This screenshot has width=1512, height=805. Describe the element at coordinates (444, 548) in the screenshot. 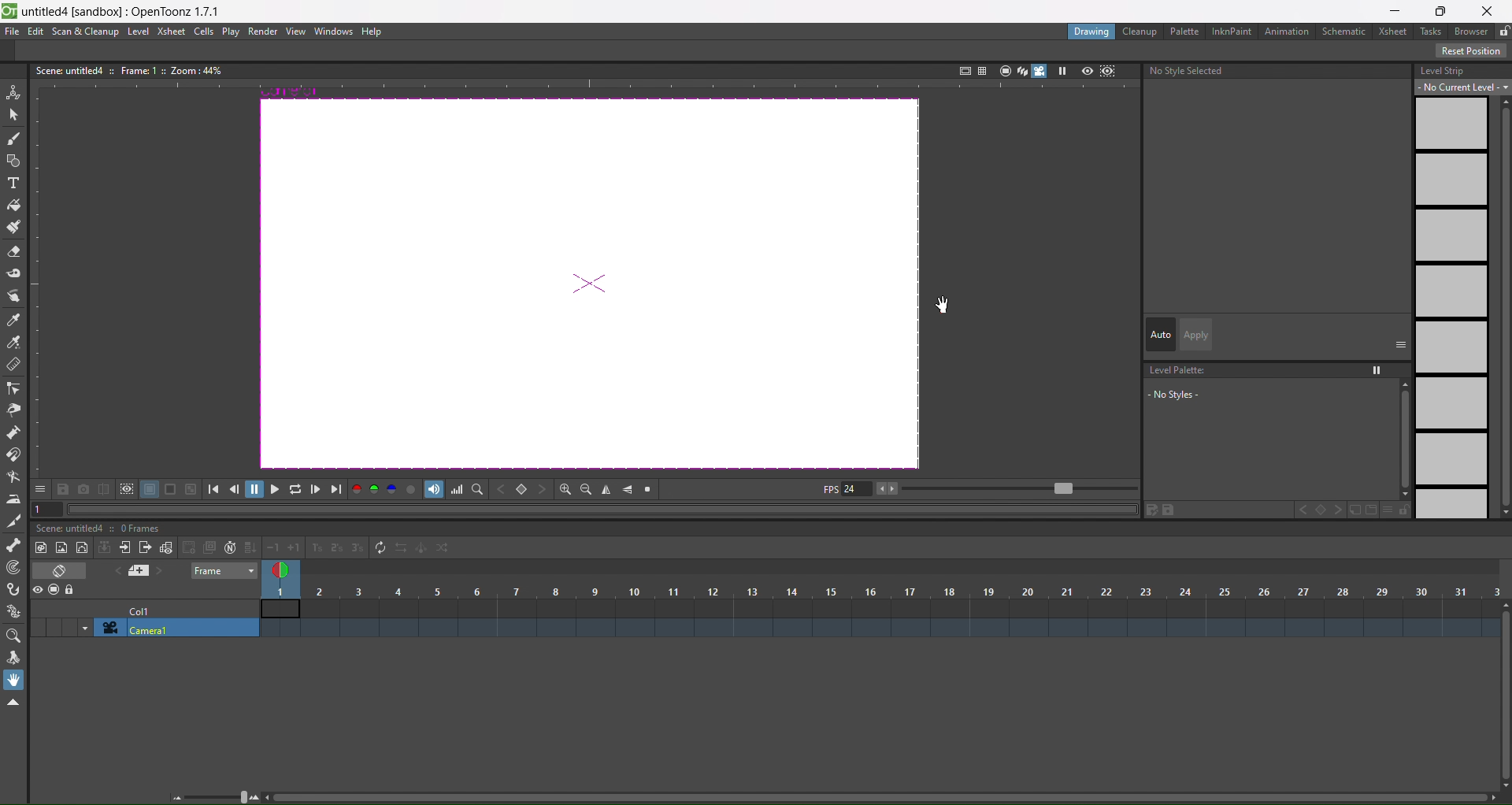

I see `random` at that location.